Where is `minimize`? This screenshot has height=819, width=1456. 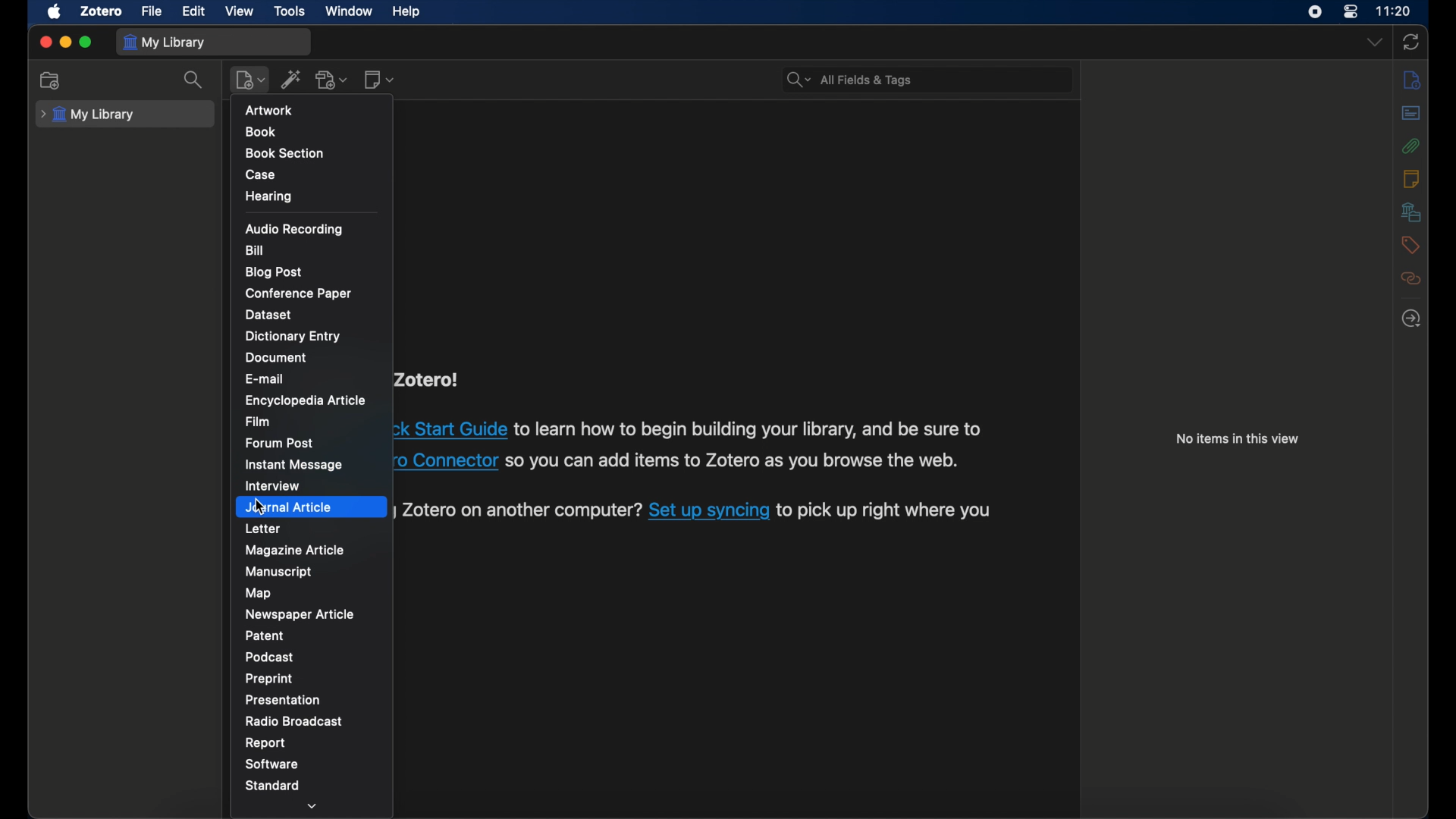 minimize is located at coordinates (64, 41).